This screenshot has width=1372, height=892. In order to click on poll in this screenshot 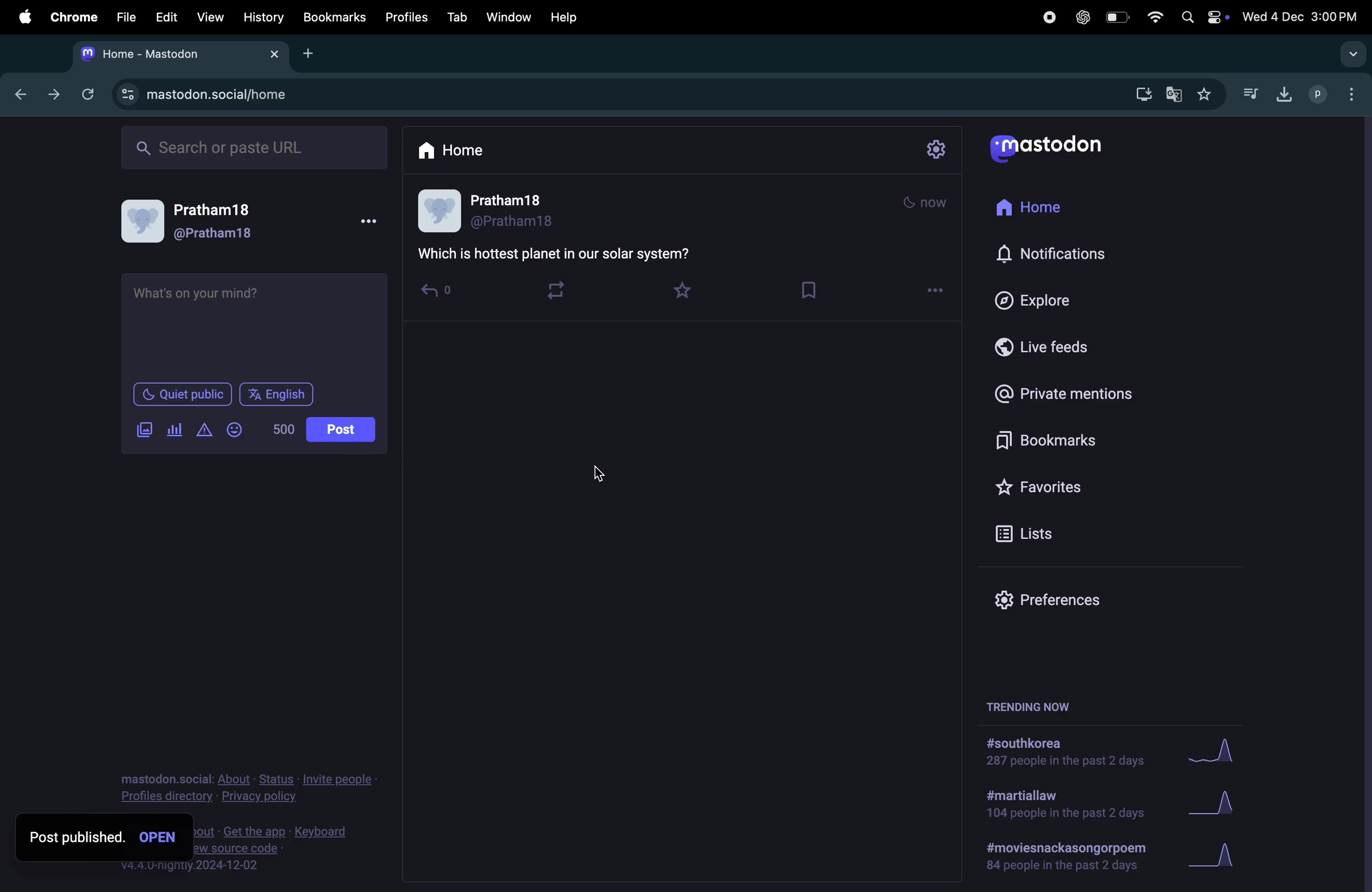, I will do `click(175, 430)`.